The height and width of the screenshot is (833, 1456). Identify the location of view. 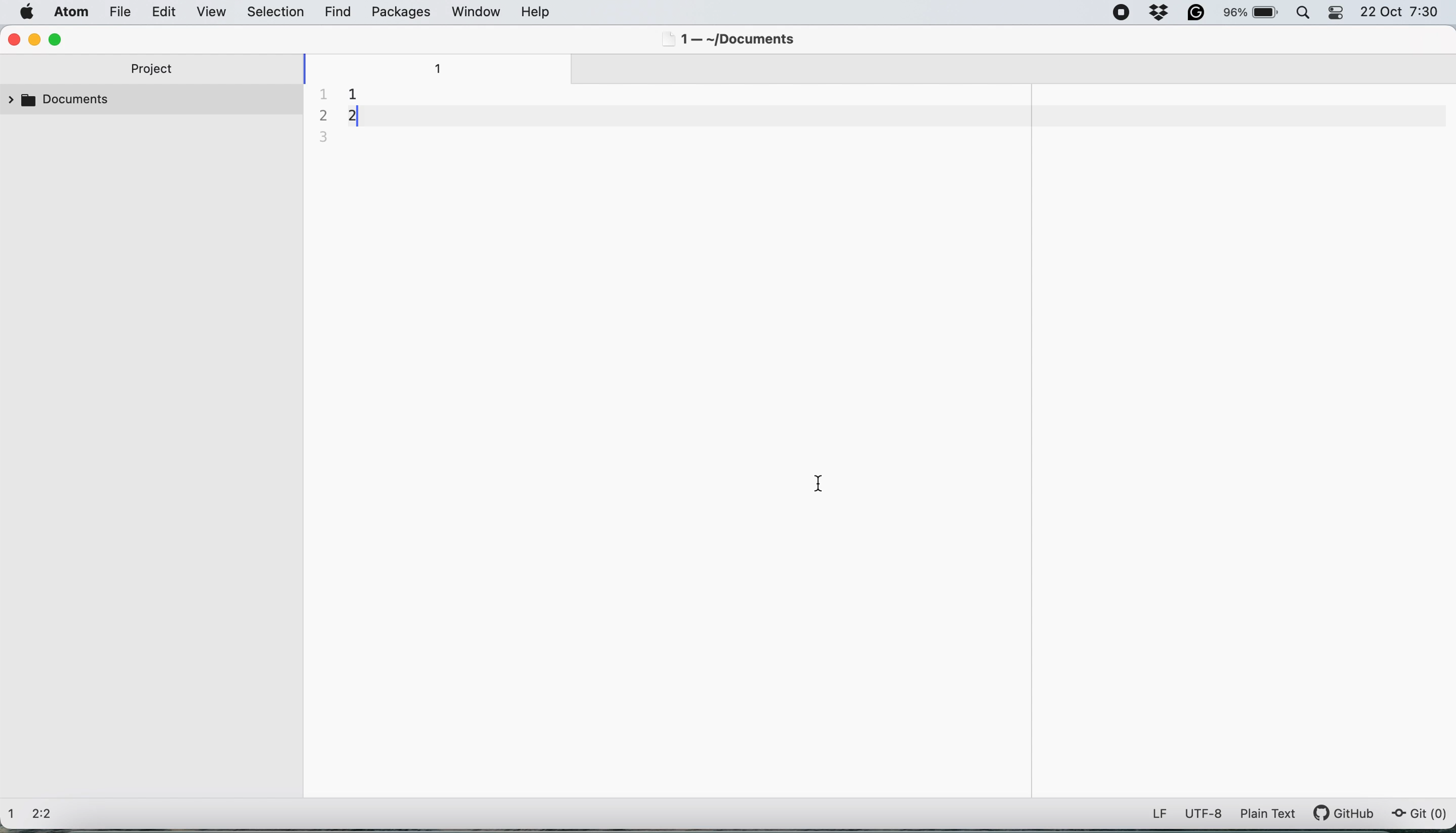
(214, 11).